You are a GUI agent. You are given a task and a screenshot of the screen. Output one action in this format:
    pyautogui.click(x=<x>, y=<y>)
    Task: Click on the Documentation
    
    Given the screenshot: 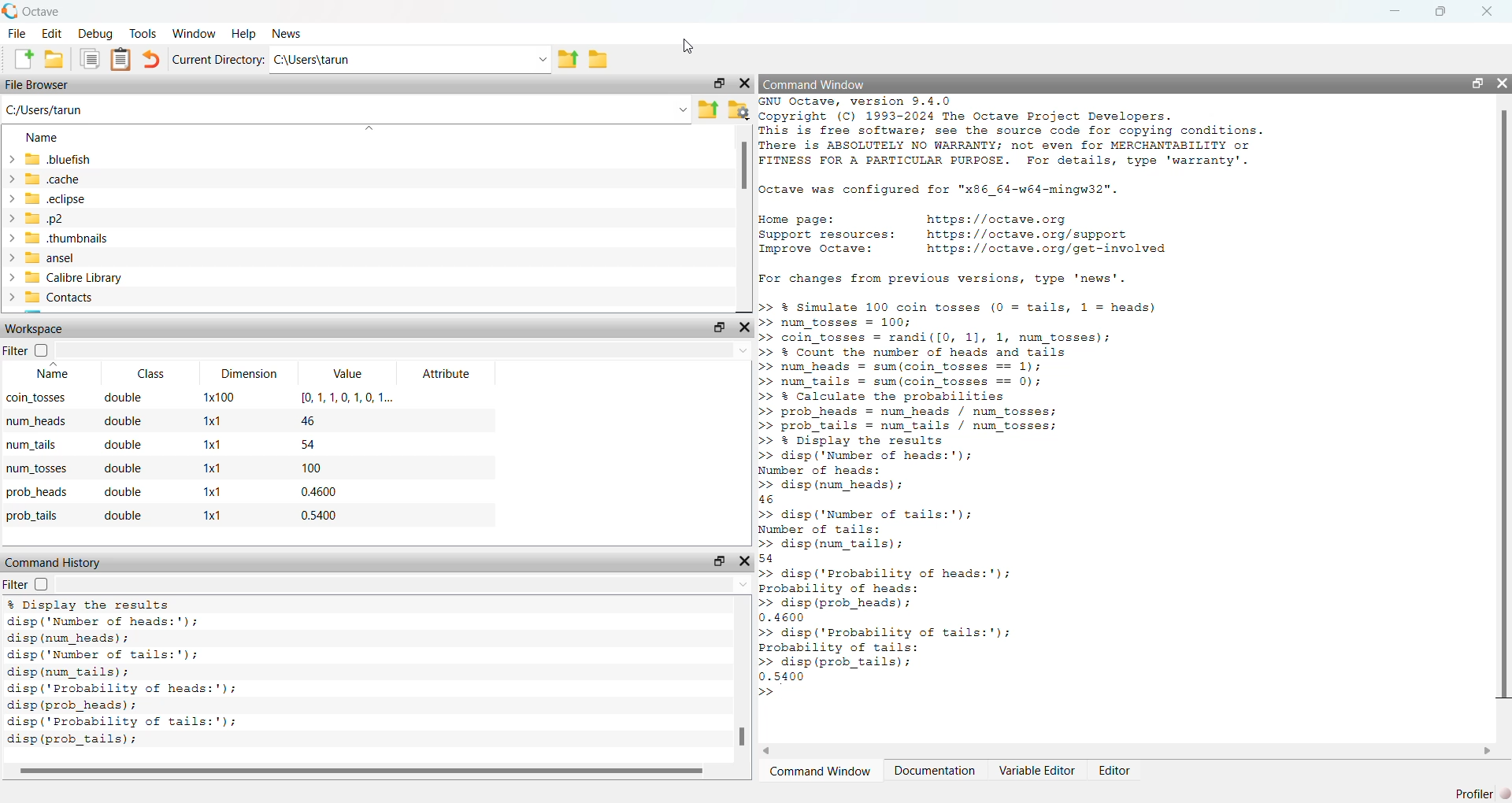 What is the action you would take?
    pyautogui.click(x=936, y=771)
    